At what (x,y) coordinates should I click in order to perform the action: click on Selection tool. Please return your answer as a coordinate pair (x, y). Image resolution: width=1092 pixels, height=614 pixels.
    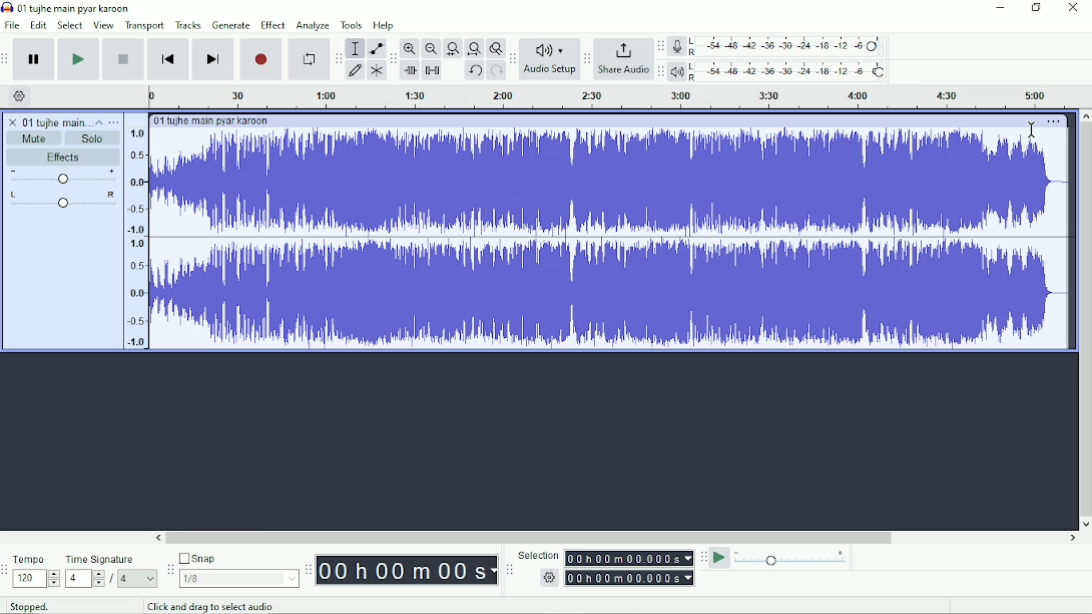
    Looking at the image, I should click on (355, 48).